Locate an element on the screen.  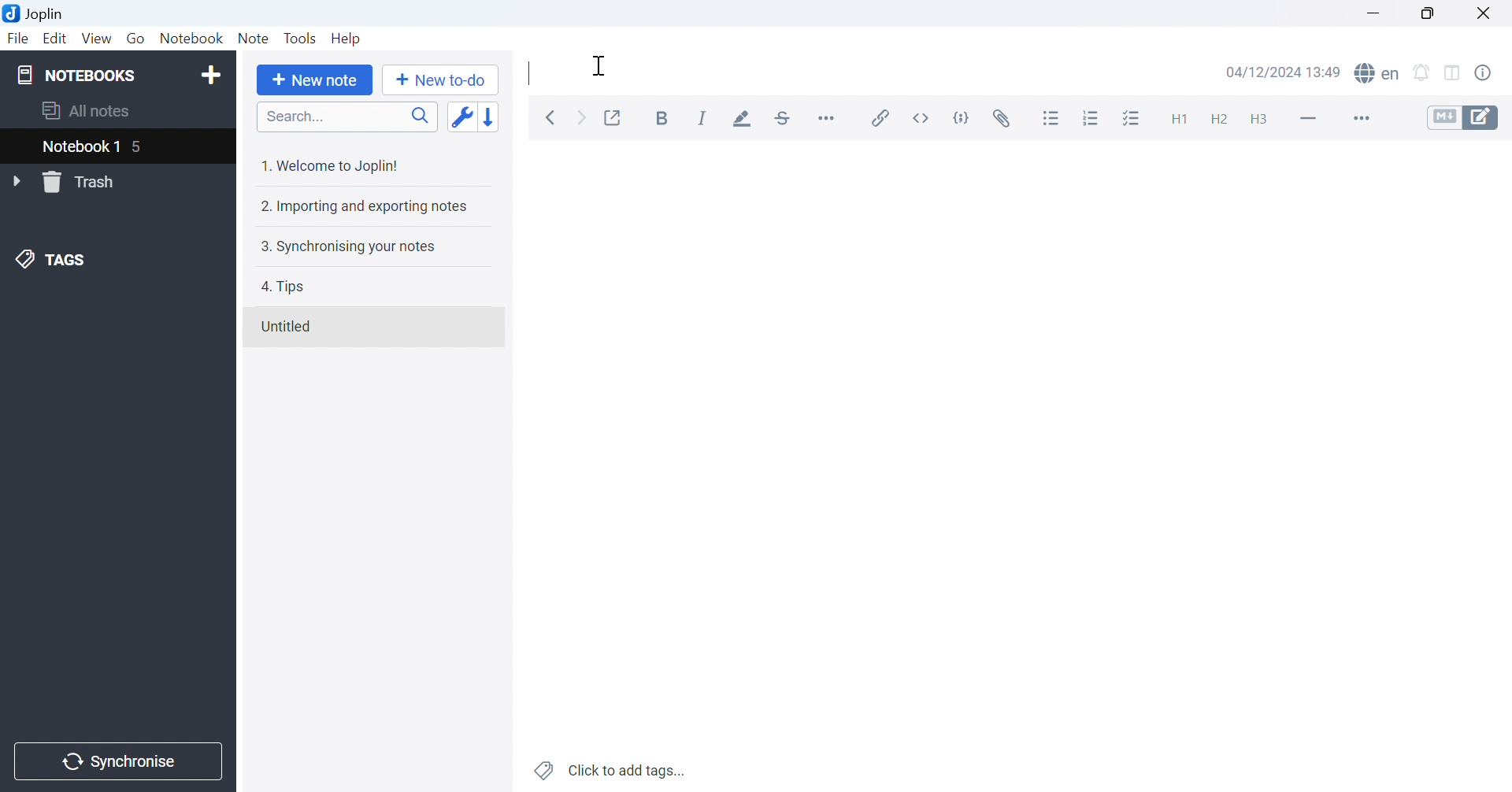
3. Synchronising your notes is located at coordinates (348, 249).